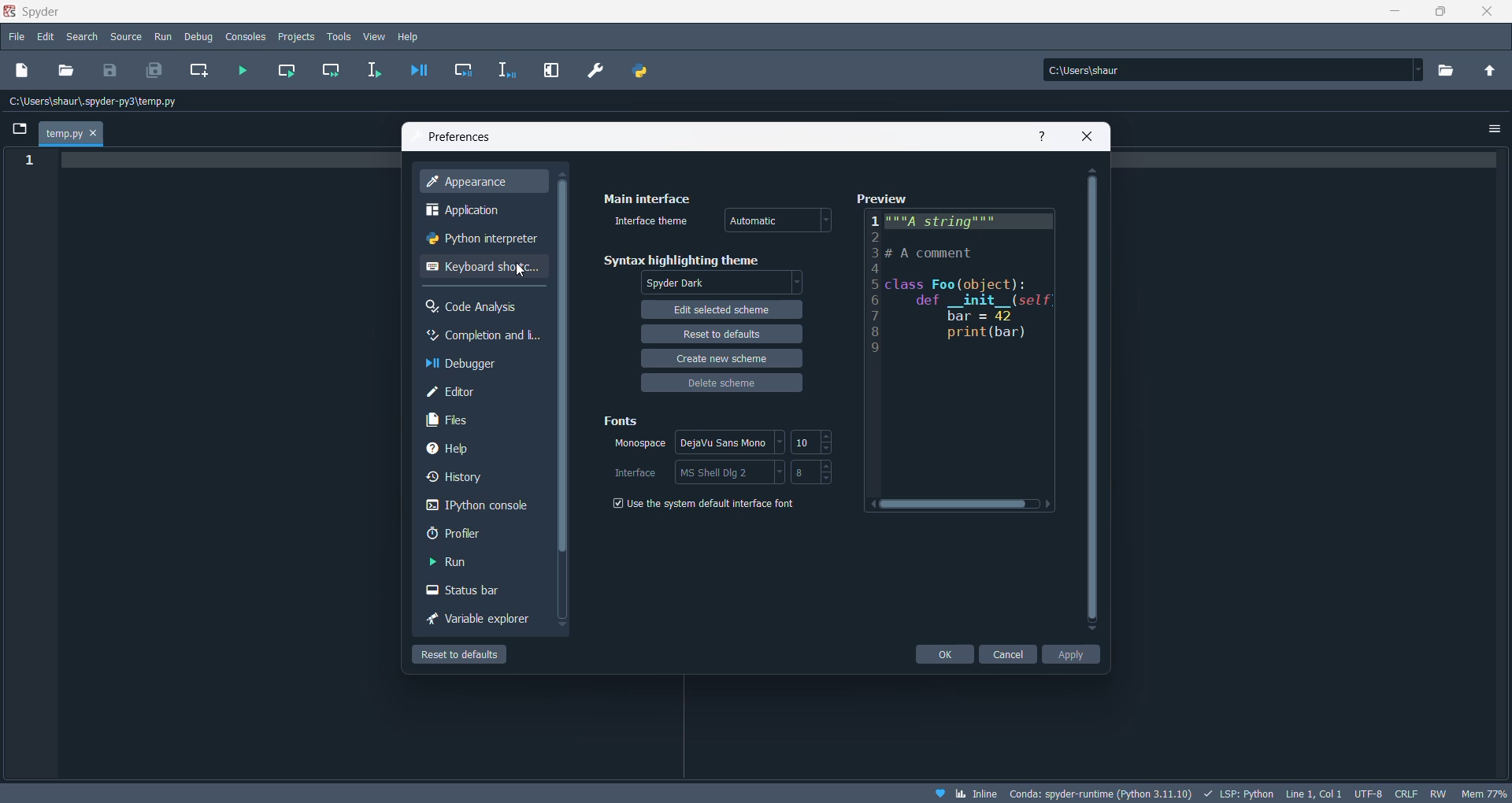  What do you see at coordinates (828, 449) in the screenshot?
I see `decrement` at bounding box center [828, 449].